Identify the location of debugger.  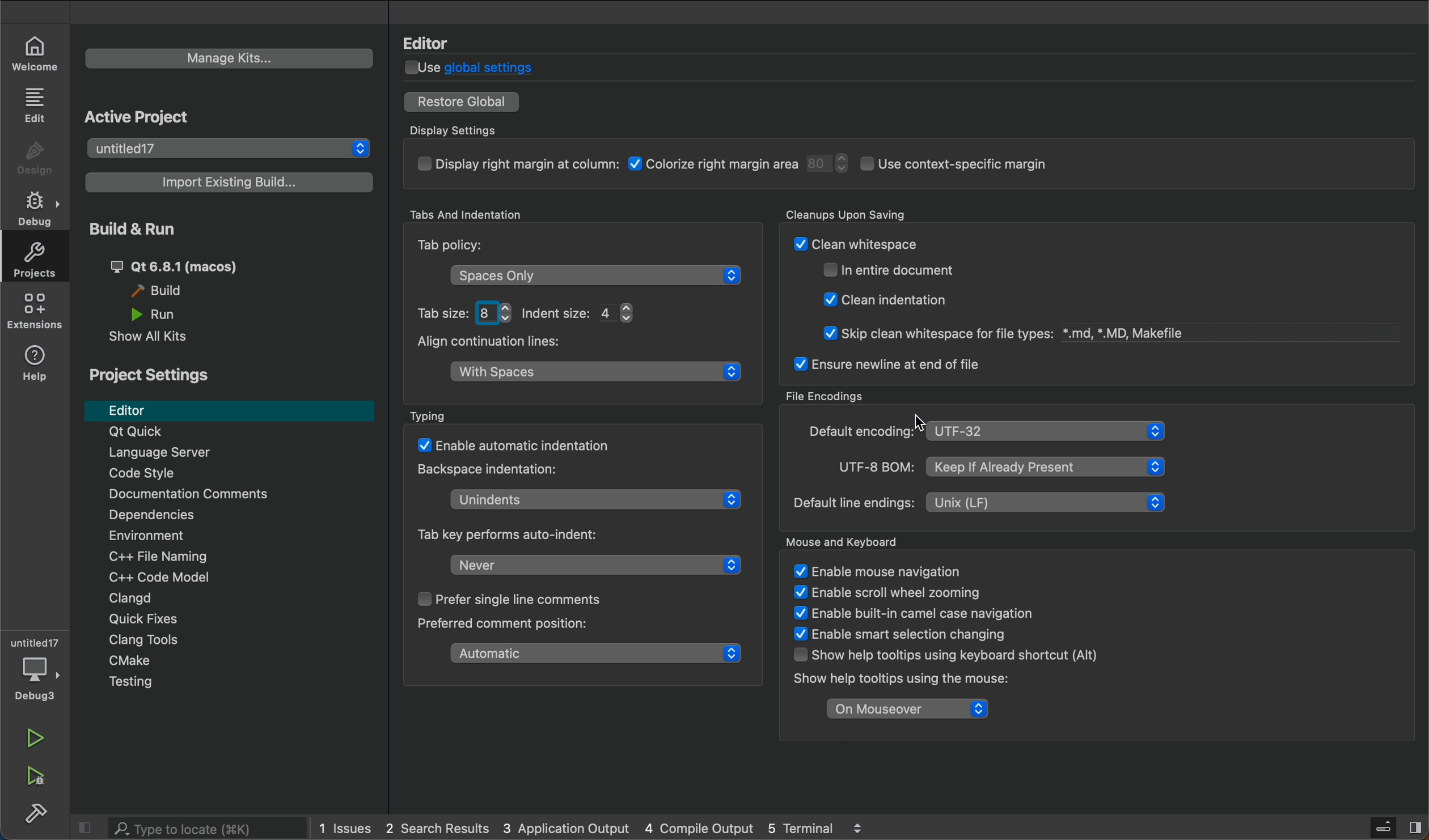
(36, 670).